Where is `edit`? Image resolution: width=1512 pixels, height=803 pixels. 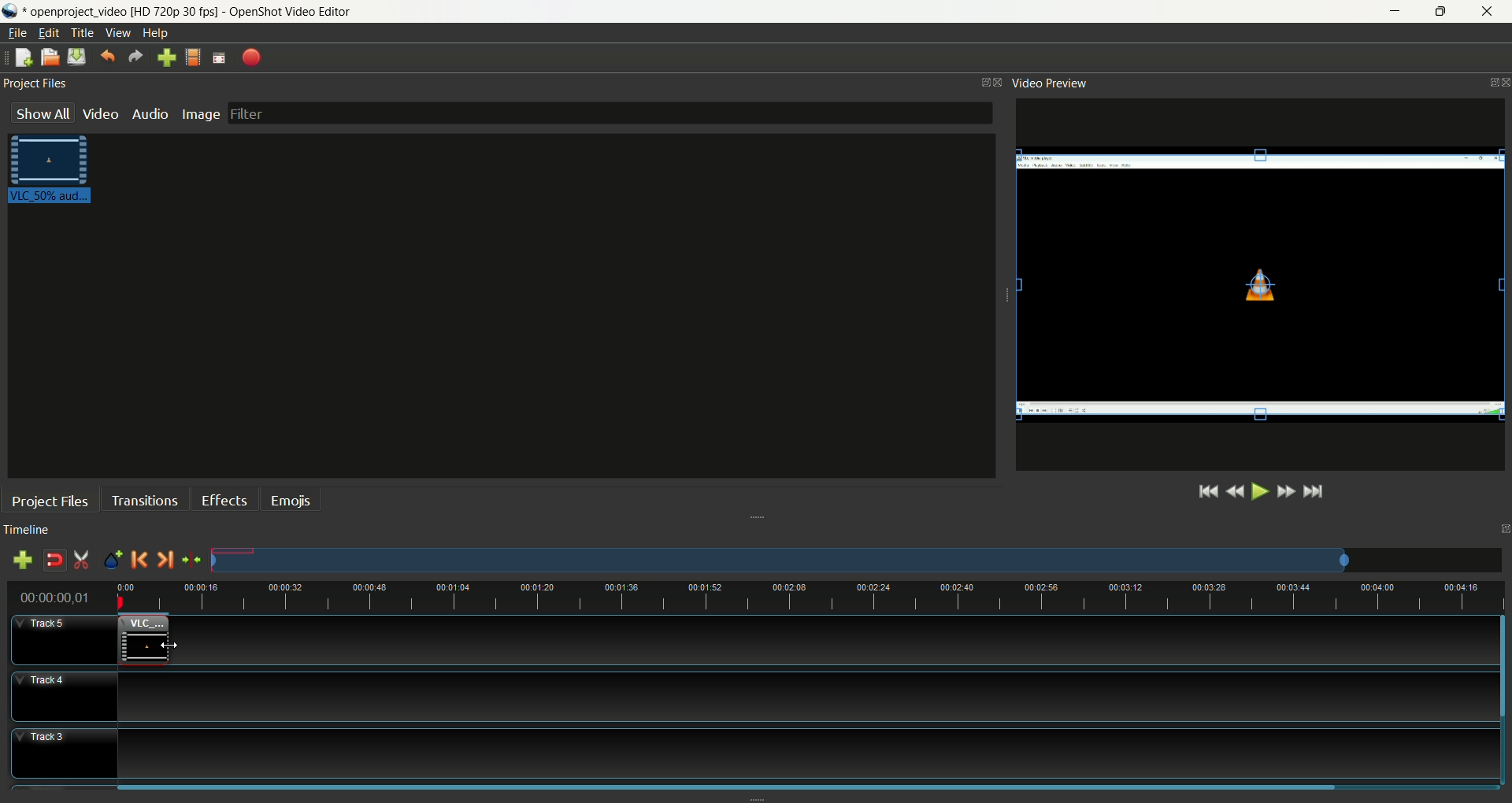 edit is located at coordinates (49, 32).